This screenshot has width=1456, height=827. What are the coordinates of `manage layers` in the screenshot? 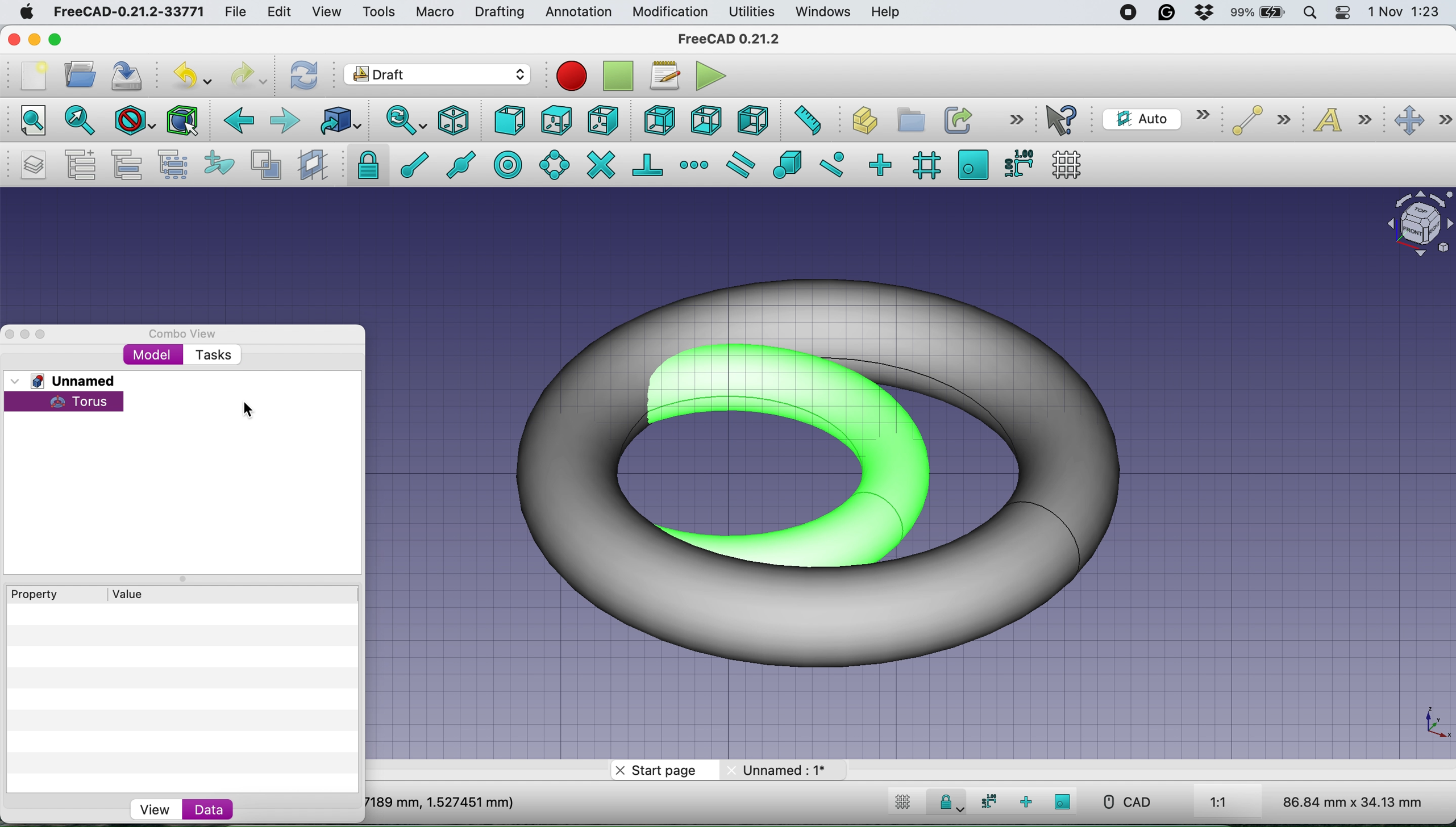 It's located at (36, 165).